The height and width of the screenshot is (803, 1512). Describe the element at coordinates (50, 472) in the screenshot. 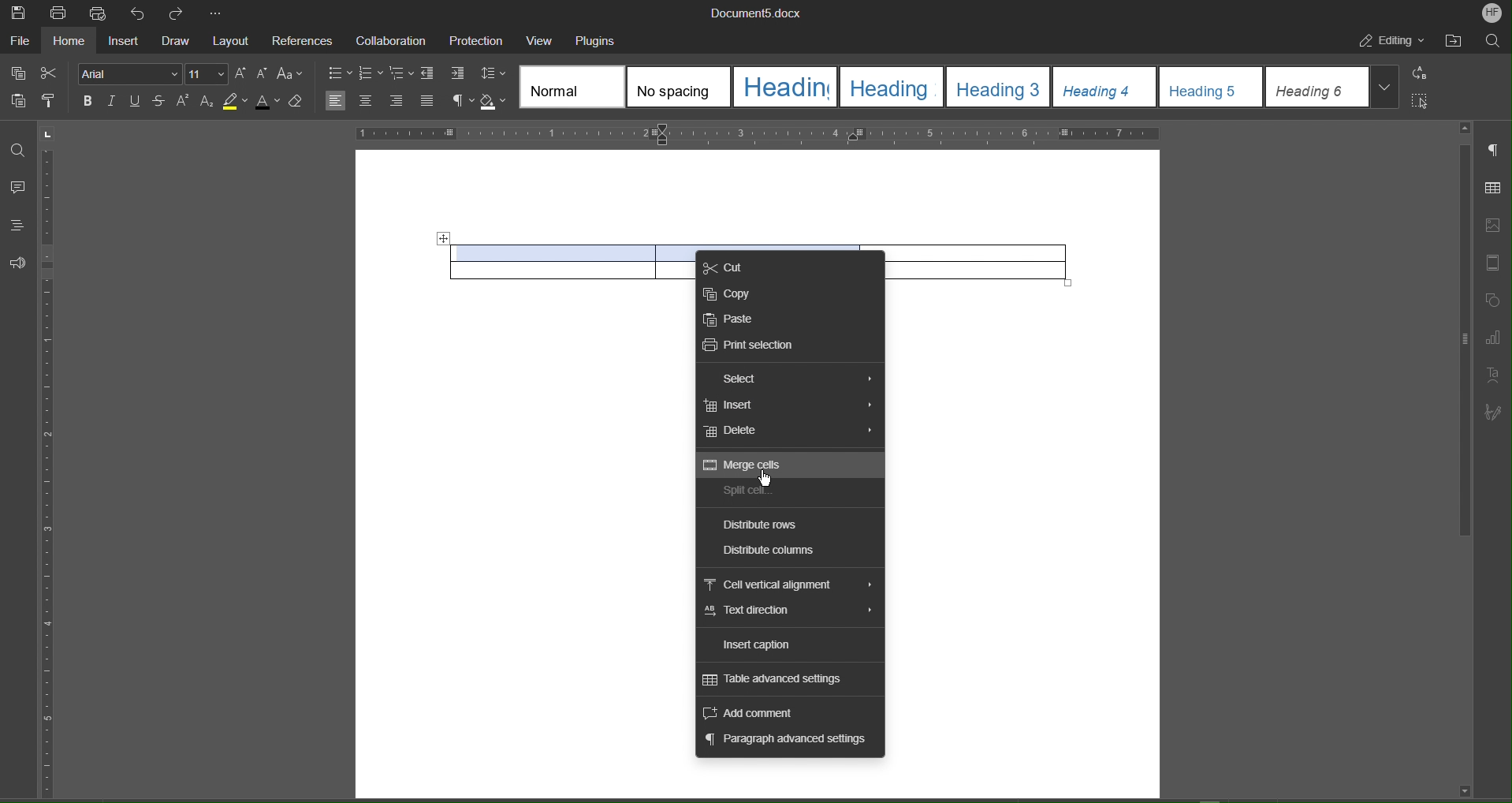

I see `Vertical Ruler` at that location.